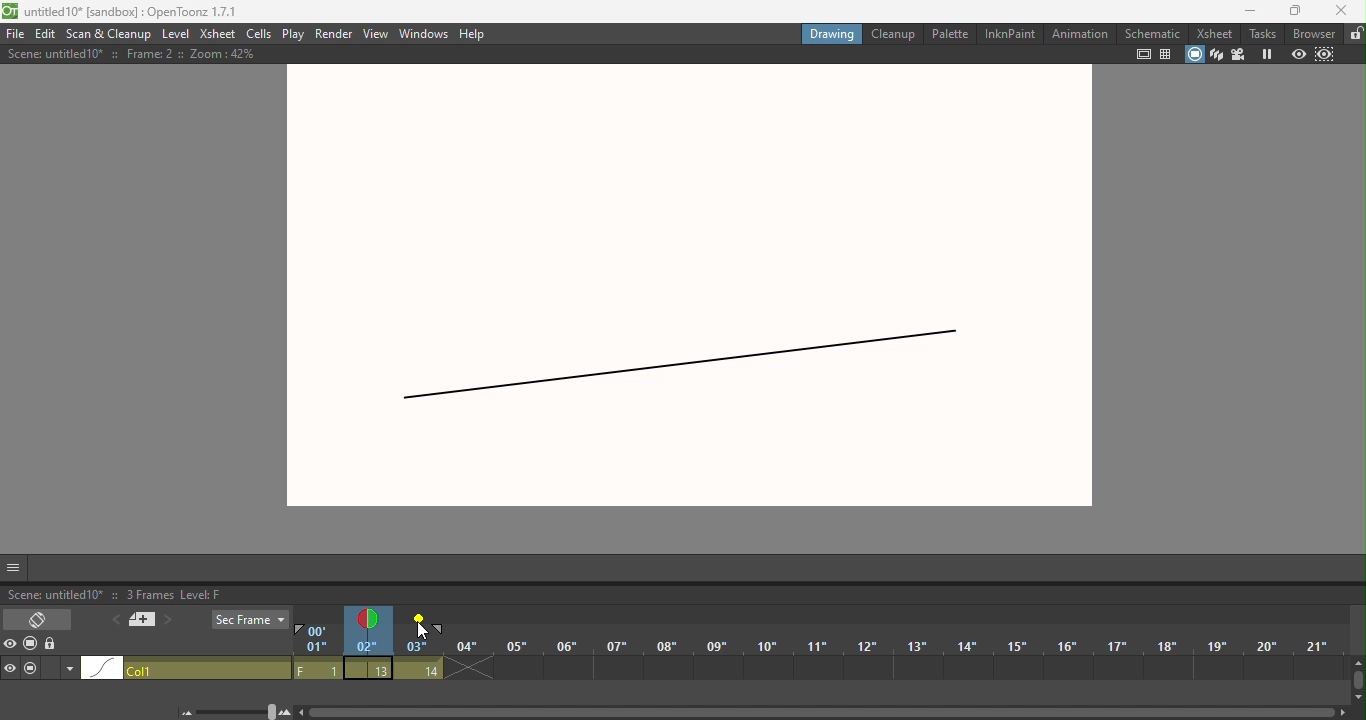  What do you see at coordinates (1216, 54) in the screenshot?
I see `3D view ` at bounding box center [1216, 54].